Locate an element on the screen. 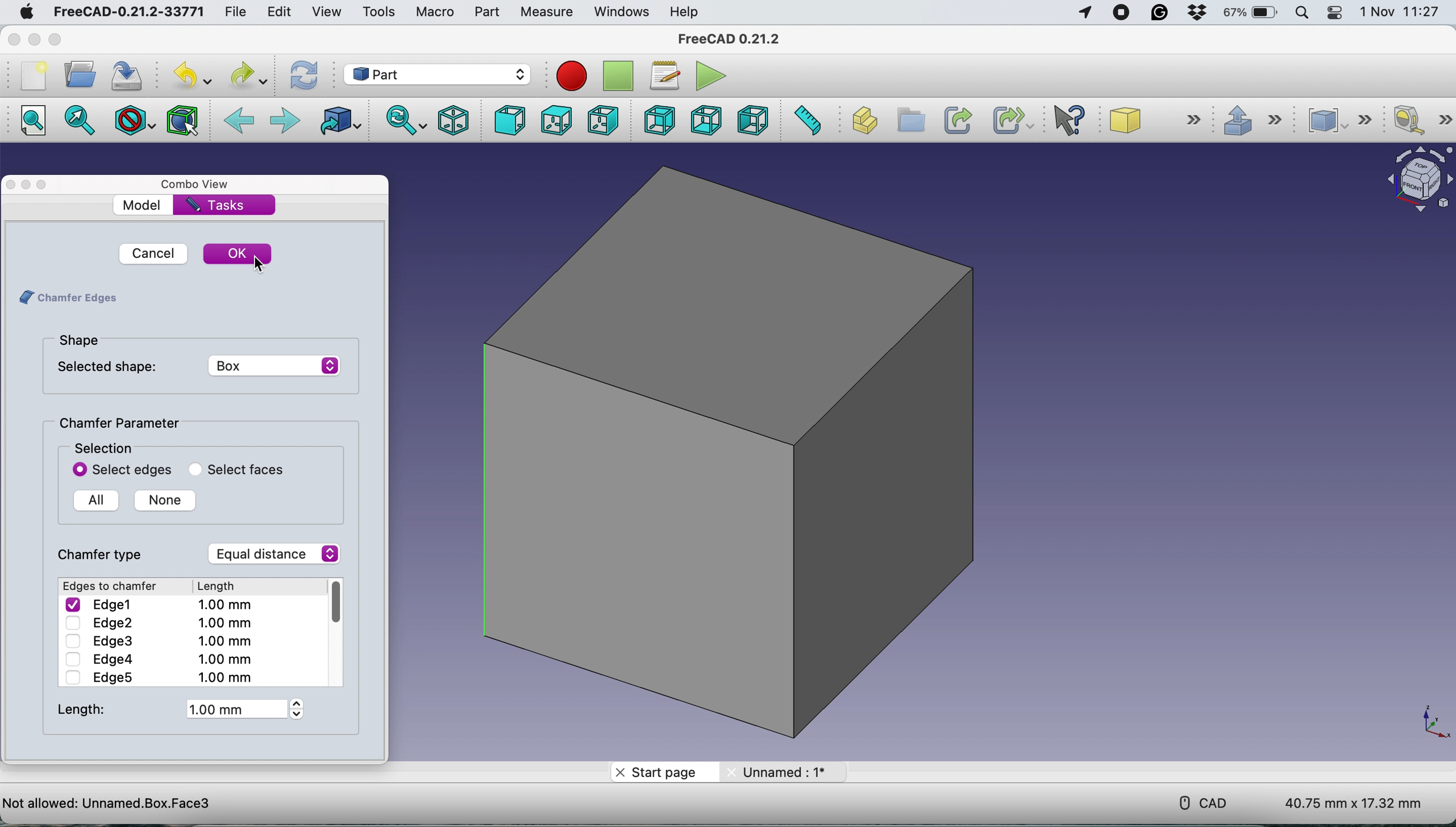 The width and height of the screenshot is (1456, 827). Vertical Scrolling bar is located at coordinates (335, 603).